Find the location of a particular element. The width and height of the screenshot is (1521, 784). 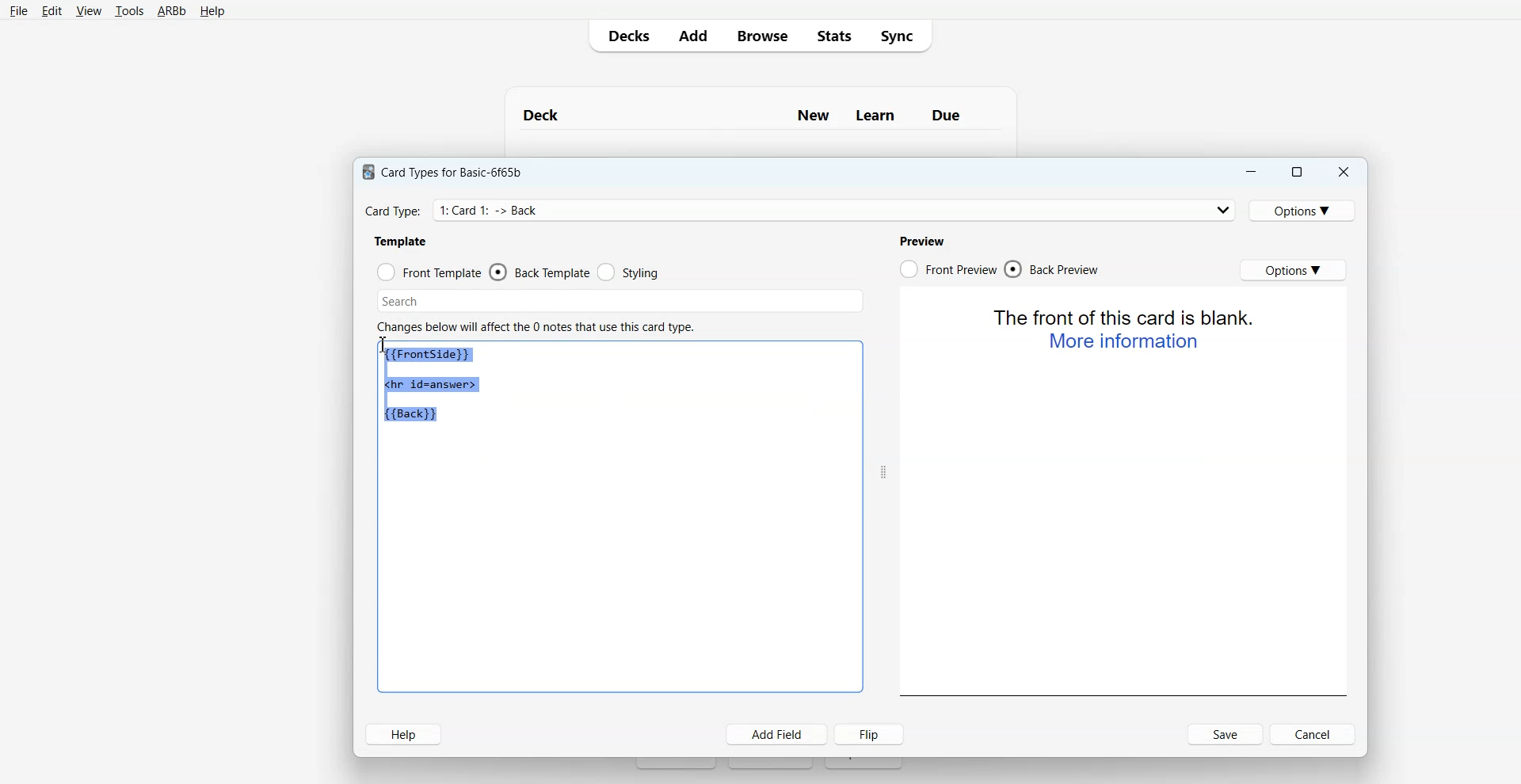

Text 3 is located at coordinates (537, 326).